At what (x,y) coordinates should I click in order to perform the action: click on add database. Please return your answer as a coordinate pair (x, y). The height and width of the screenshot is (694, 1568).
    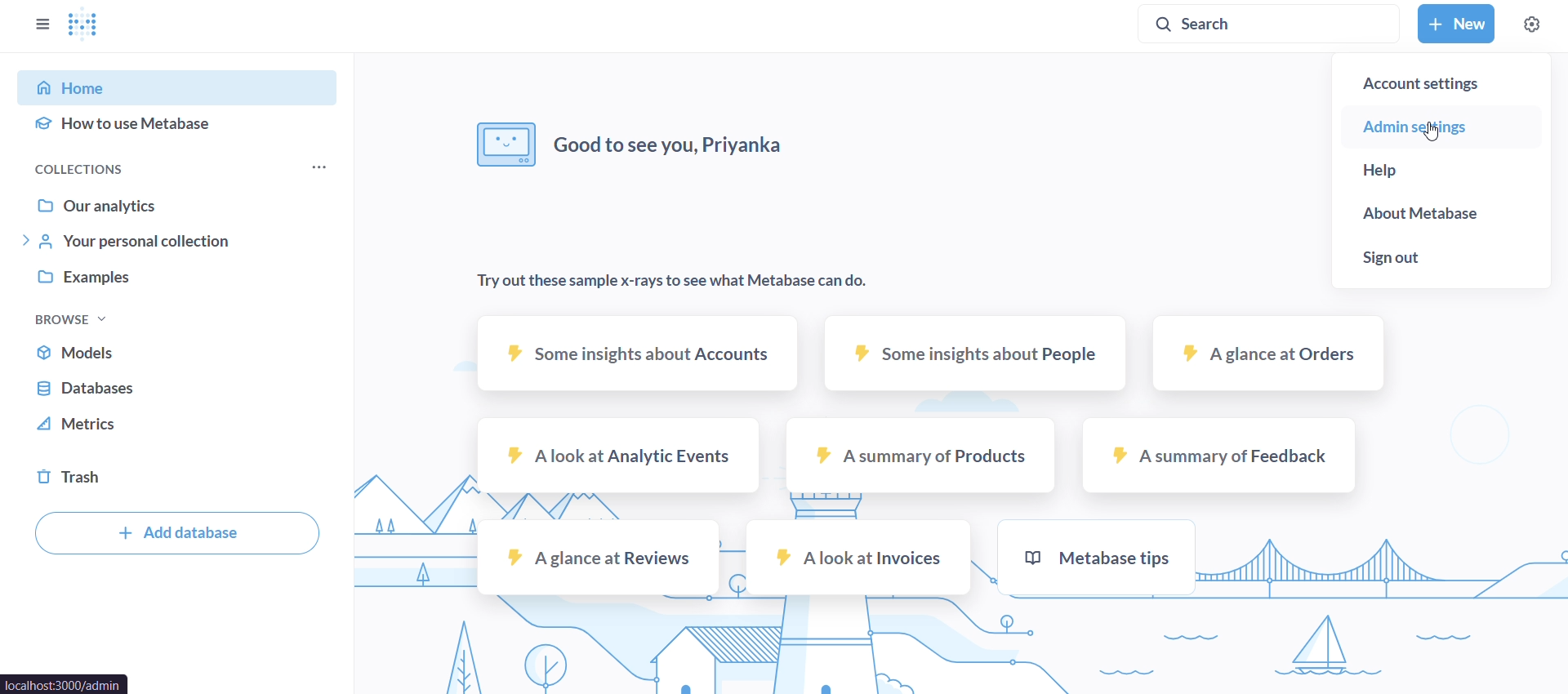
    Looking at the image, I should click on (175, 533).